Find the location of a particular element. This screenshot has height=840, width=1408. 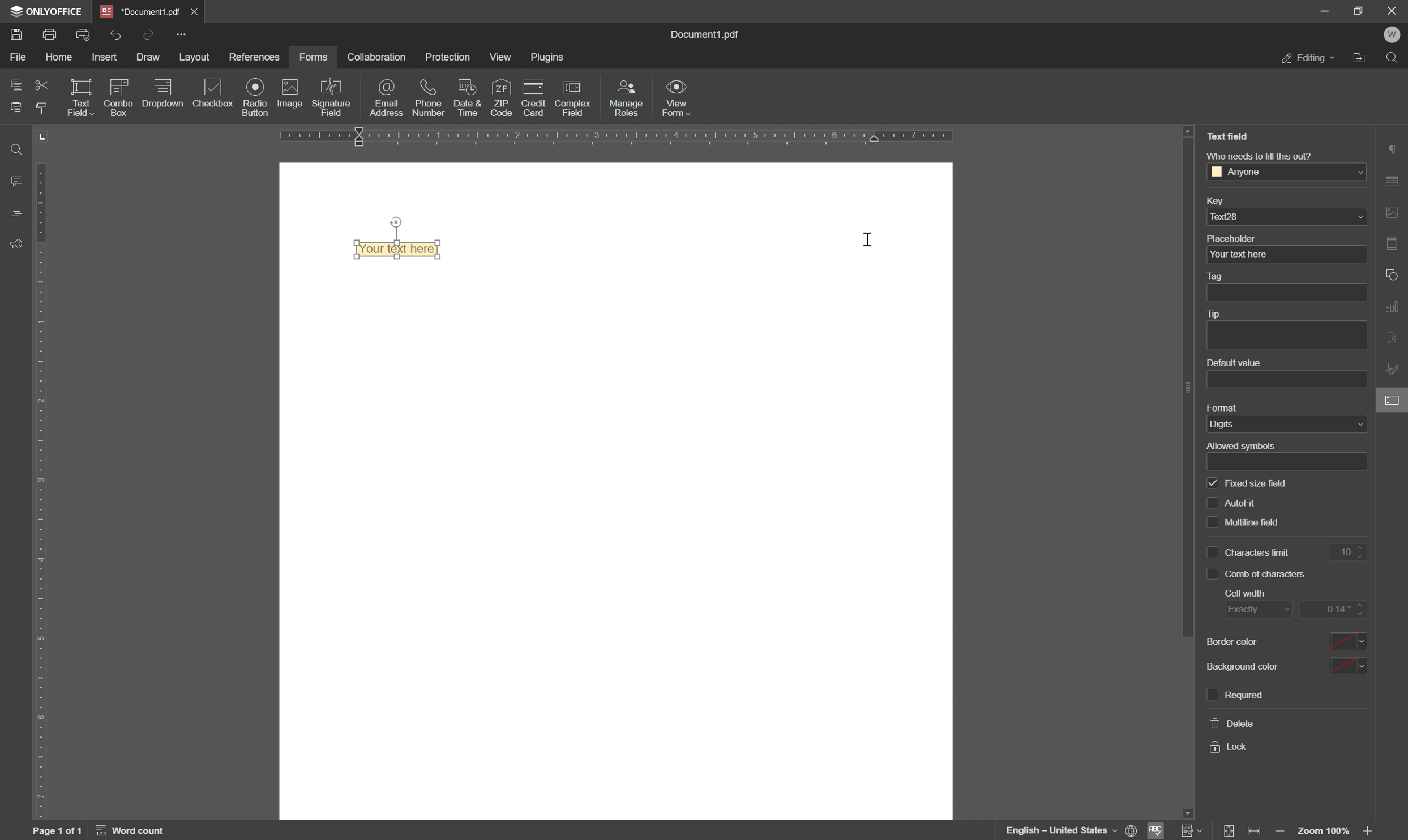

protection is located at coordinates (450, 58).